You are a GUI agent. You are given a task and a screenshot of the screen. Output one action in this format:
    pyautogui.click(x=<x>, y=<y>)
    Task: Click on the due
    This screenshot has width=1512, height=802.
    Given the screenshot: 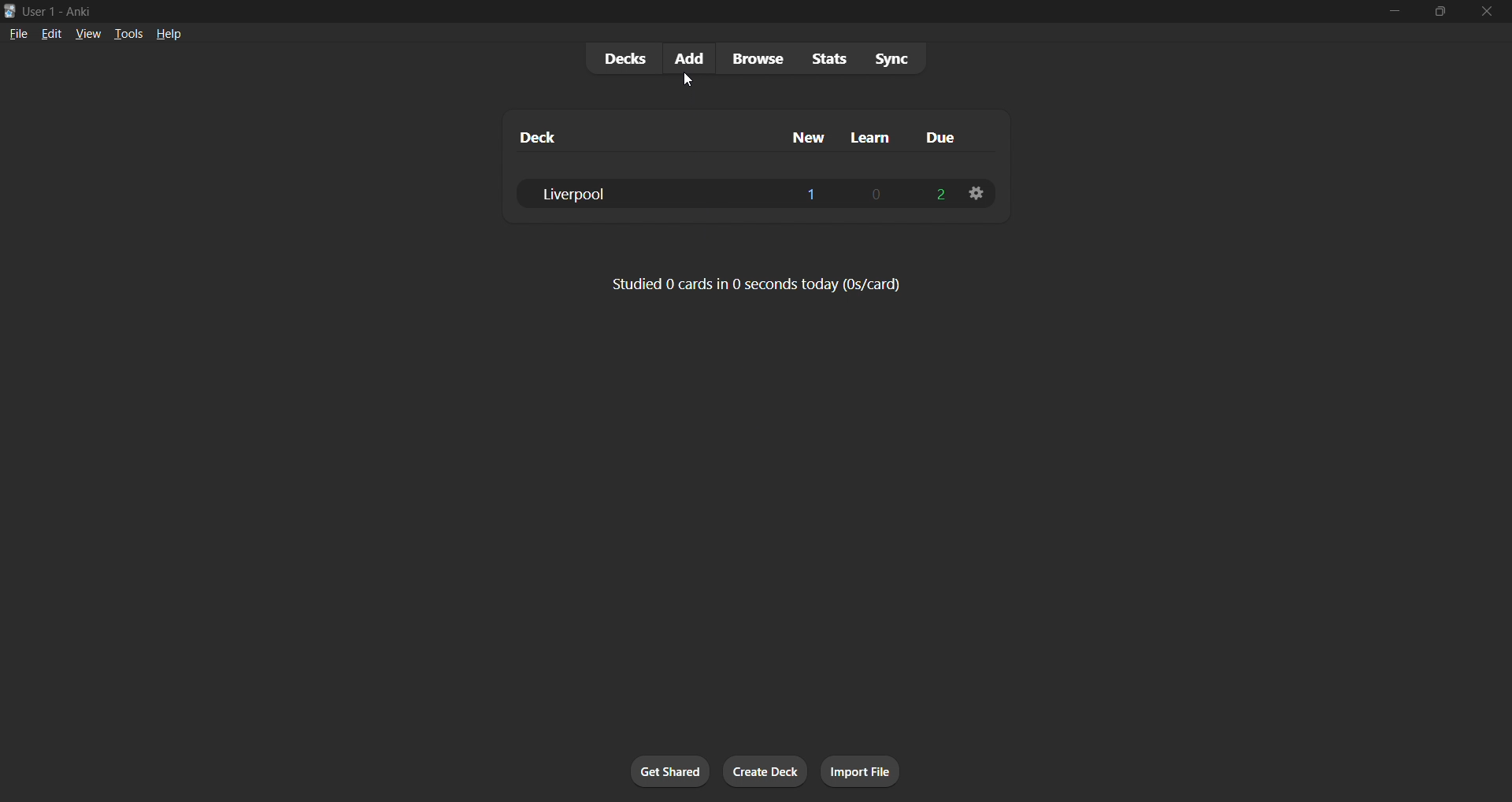 What is the action you would take?
    pyautogui.click(x=946, y=136)
    